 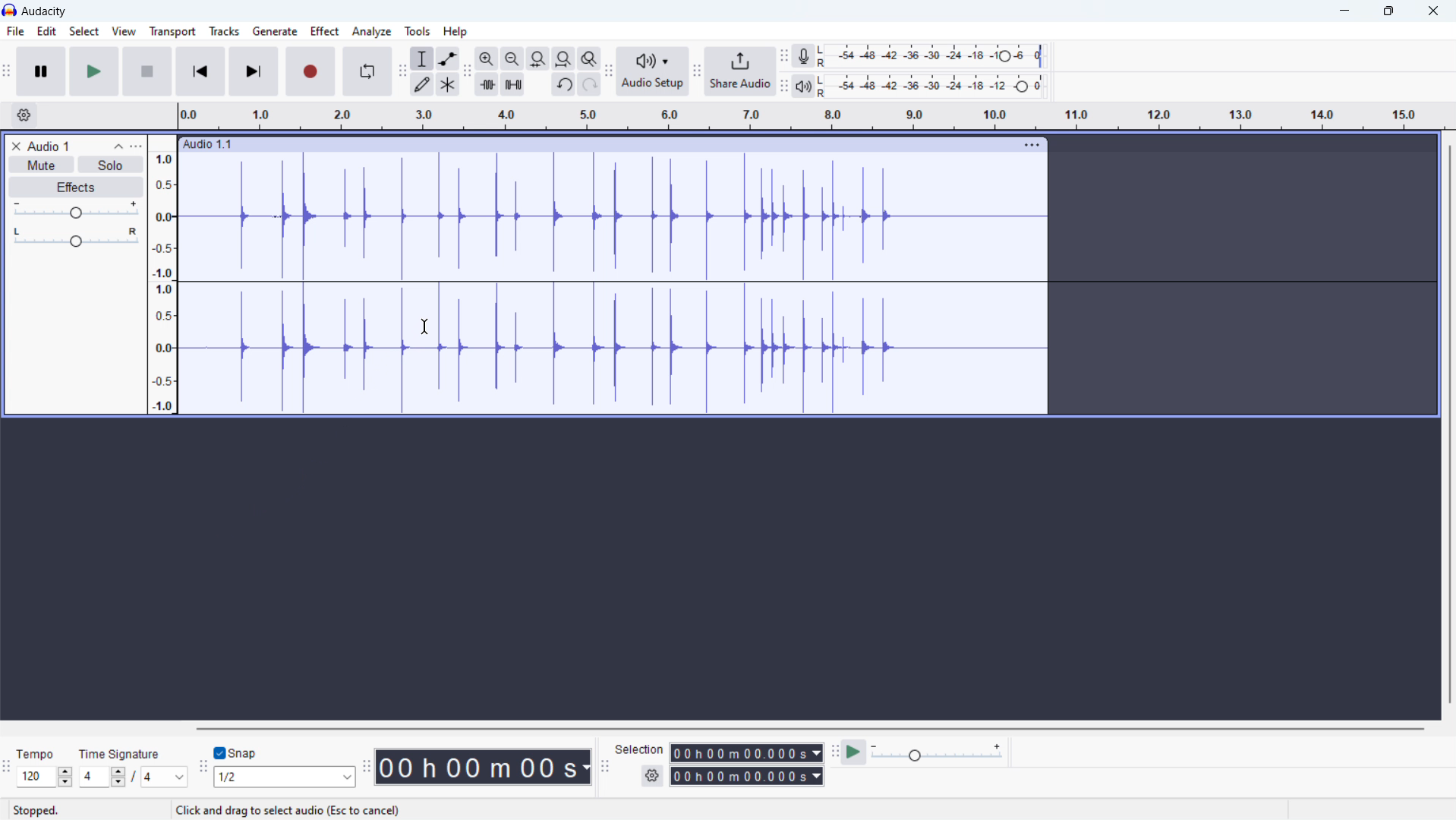 I want to click on play, so click(x=94, y=71).